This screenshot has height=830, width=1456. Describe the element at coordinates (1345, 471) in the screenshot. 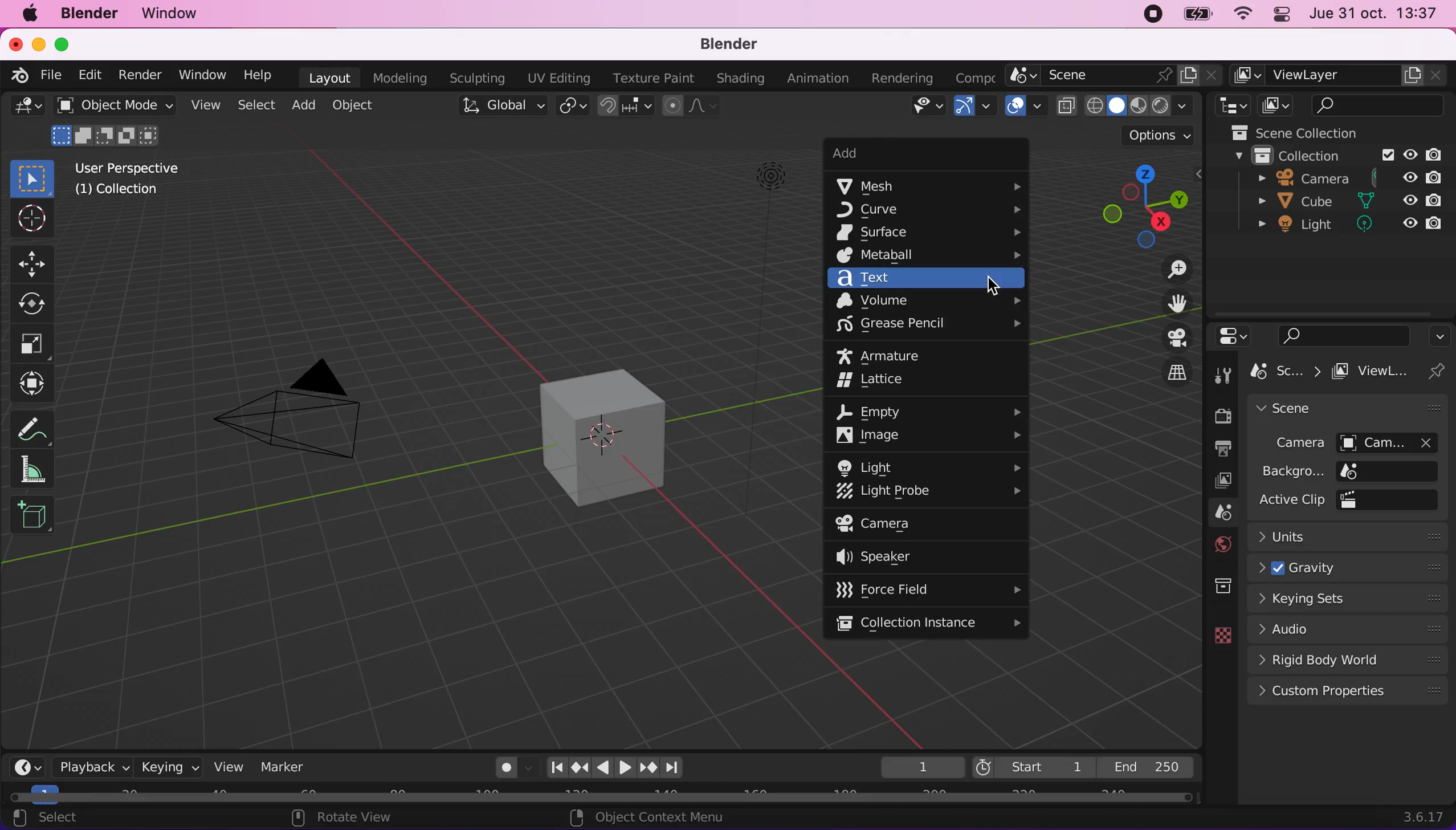

I see `background` at that location.